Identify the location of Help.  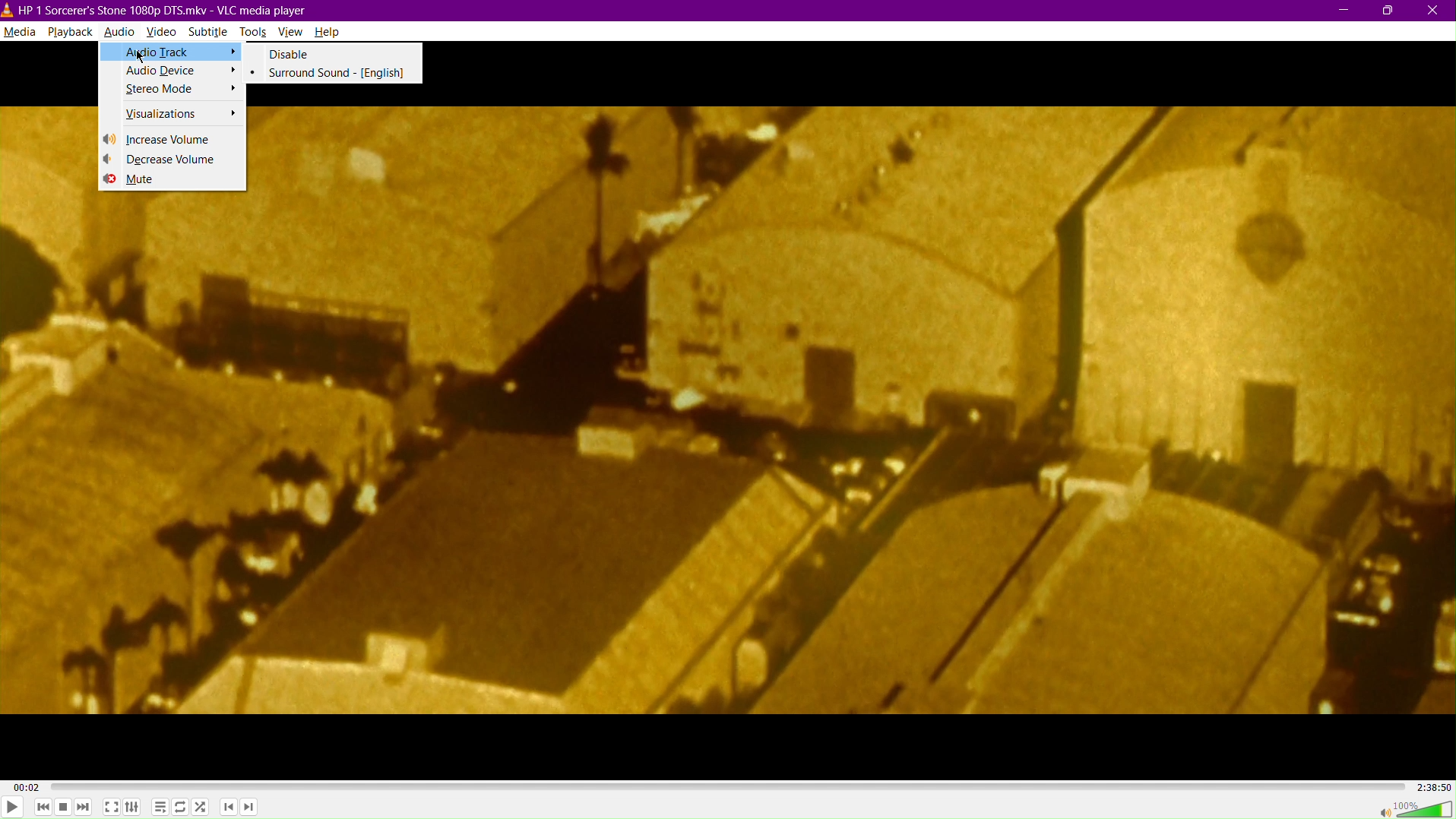
(328, 32).